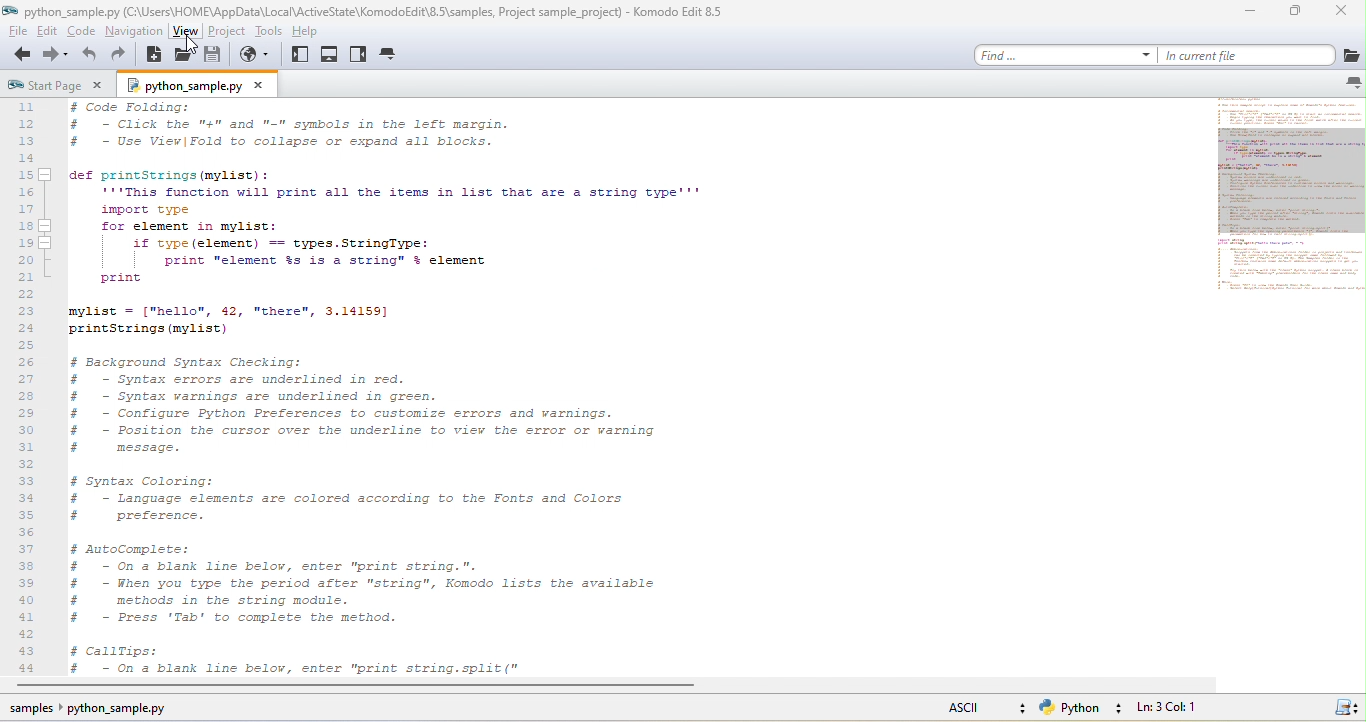 The image size is (1366, 722). Describe the element at coordinates (354, 687) in the screenshot. I see `horizontal scroll bar` at that location.